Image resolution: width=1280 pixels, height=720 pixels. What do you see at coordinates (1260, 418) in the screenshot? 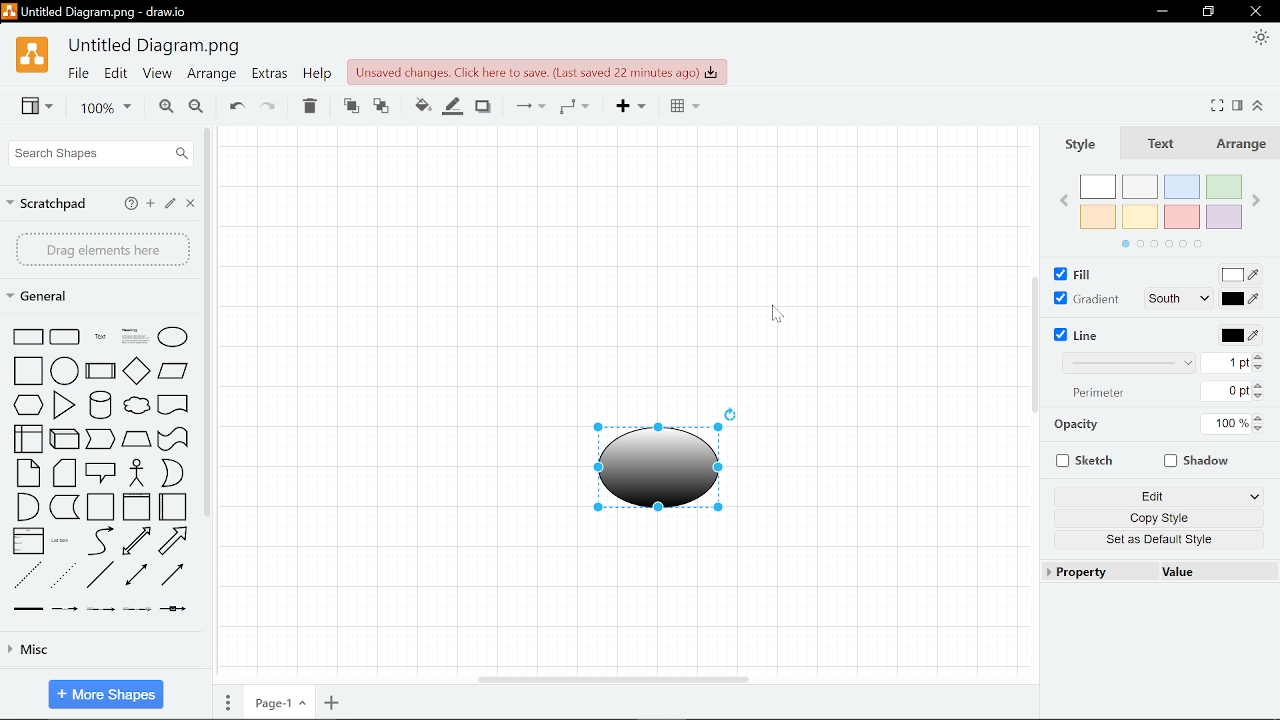
I see `Increase opacity` at bounding box center [1260, 418].